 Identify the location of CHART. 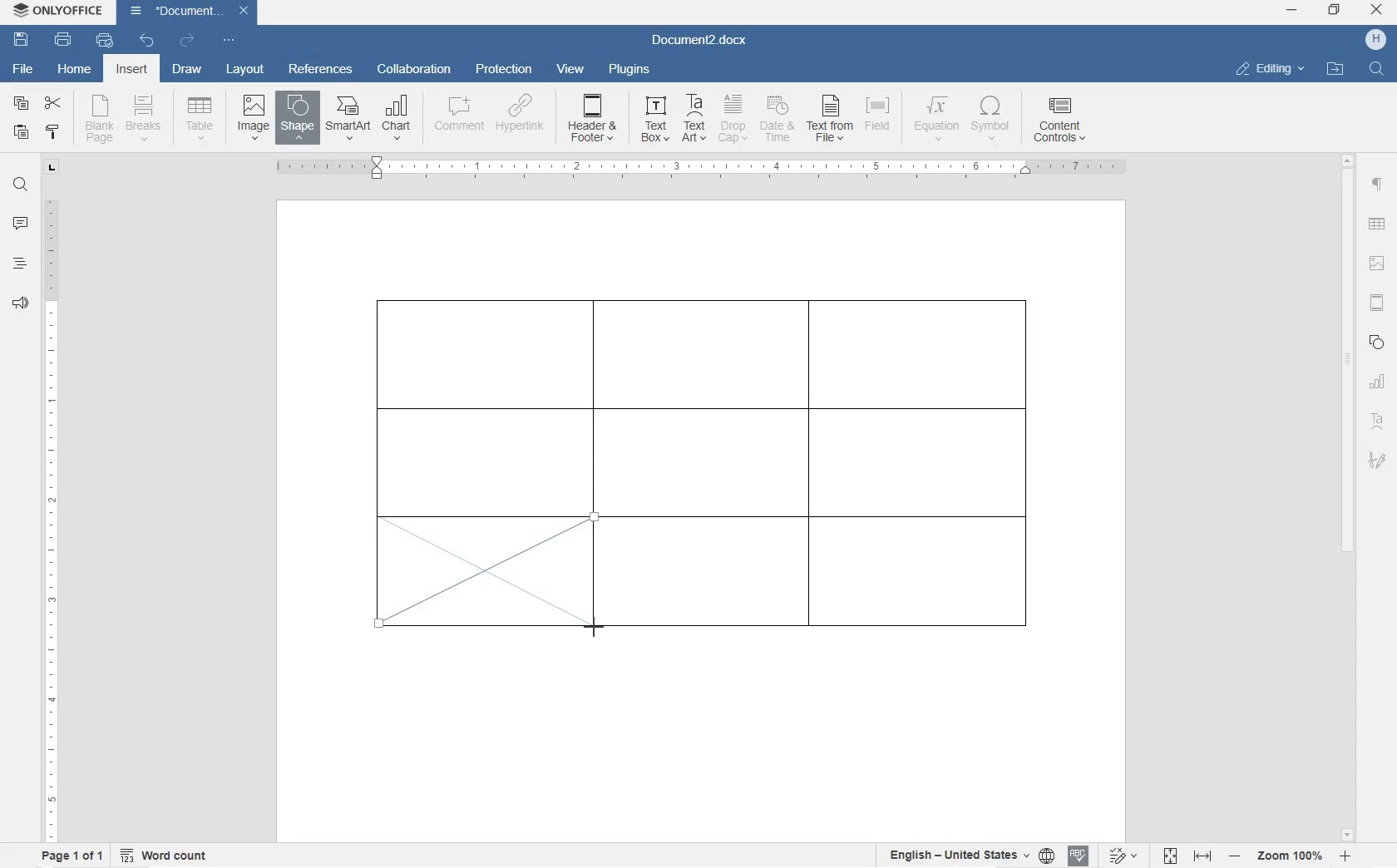
(397, 116).